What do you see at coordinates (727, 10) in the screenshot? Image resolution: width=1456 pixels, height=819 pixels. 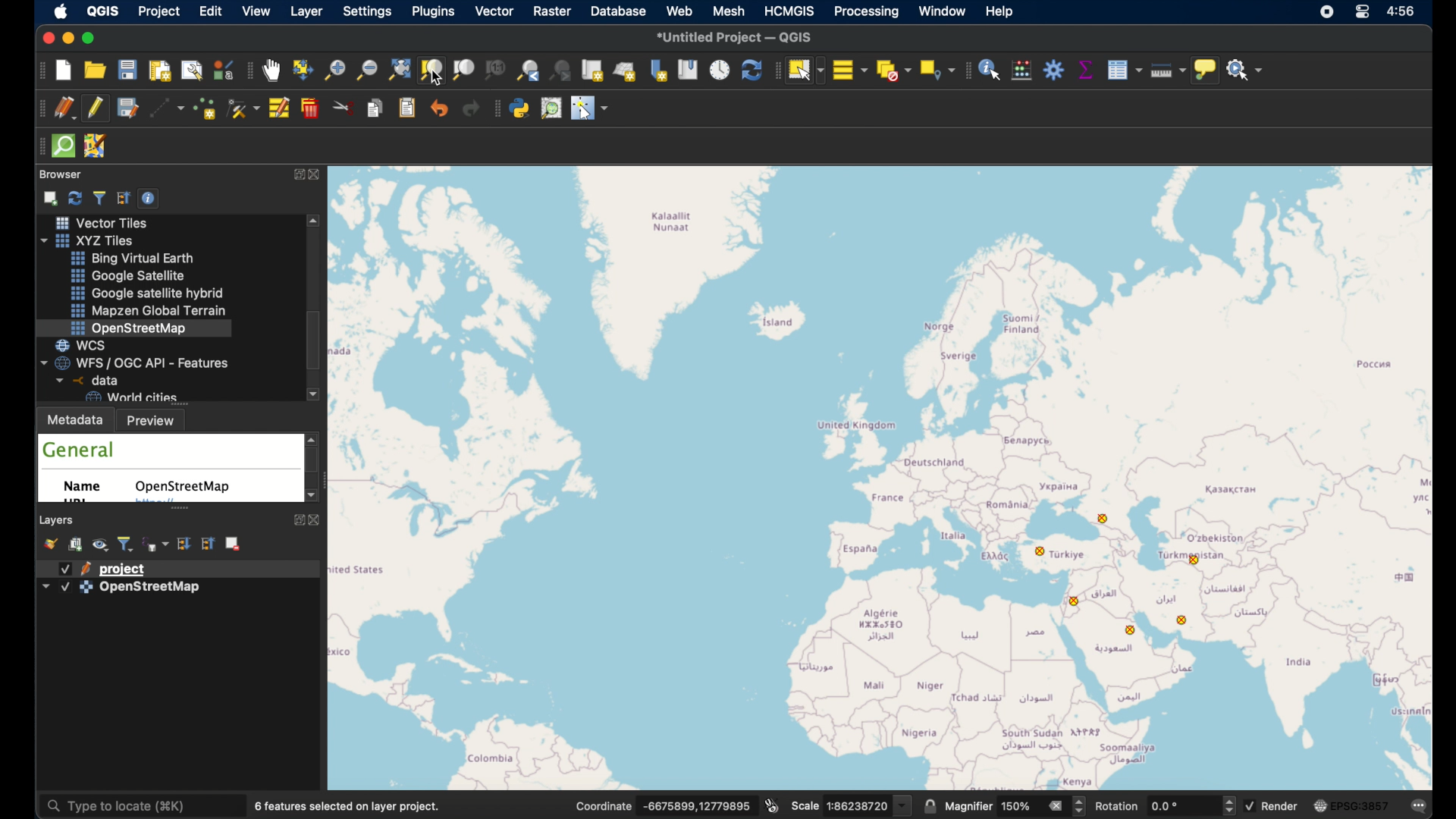 I see `mesh` at bounding box center [727, 10].